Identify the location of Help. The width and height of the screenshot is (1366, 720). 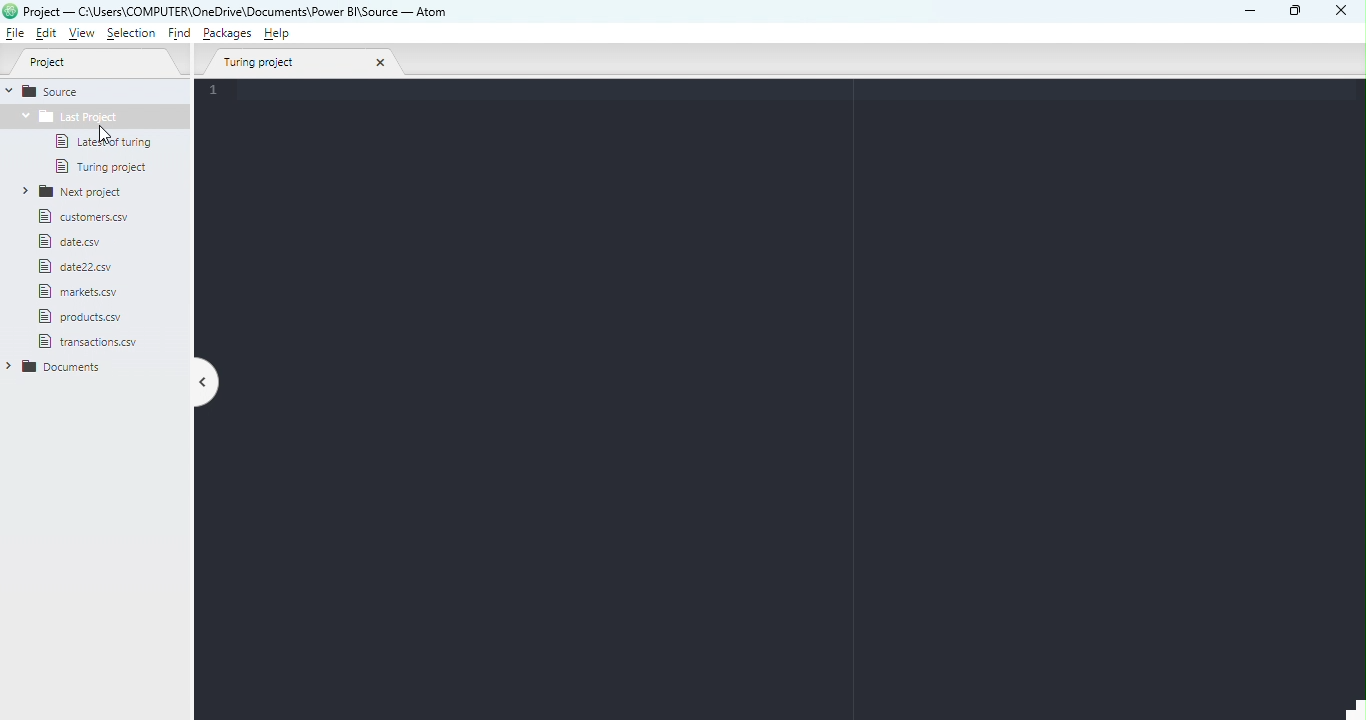
(280, 36).